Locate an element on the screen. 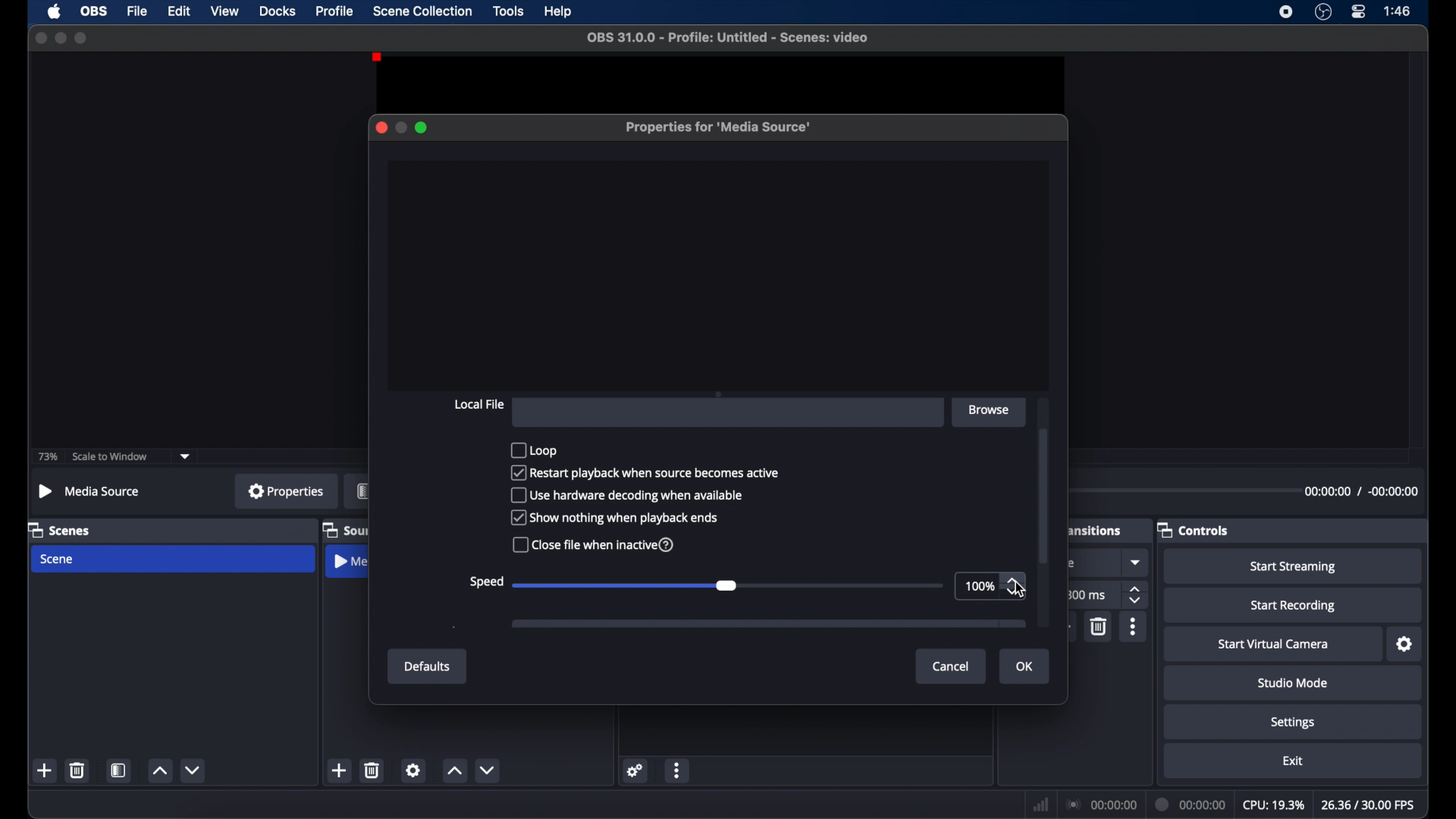 This screenshot has width=1456, height=819. time is located at coordinates (1398, 10).